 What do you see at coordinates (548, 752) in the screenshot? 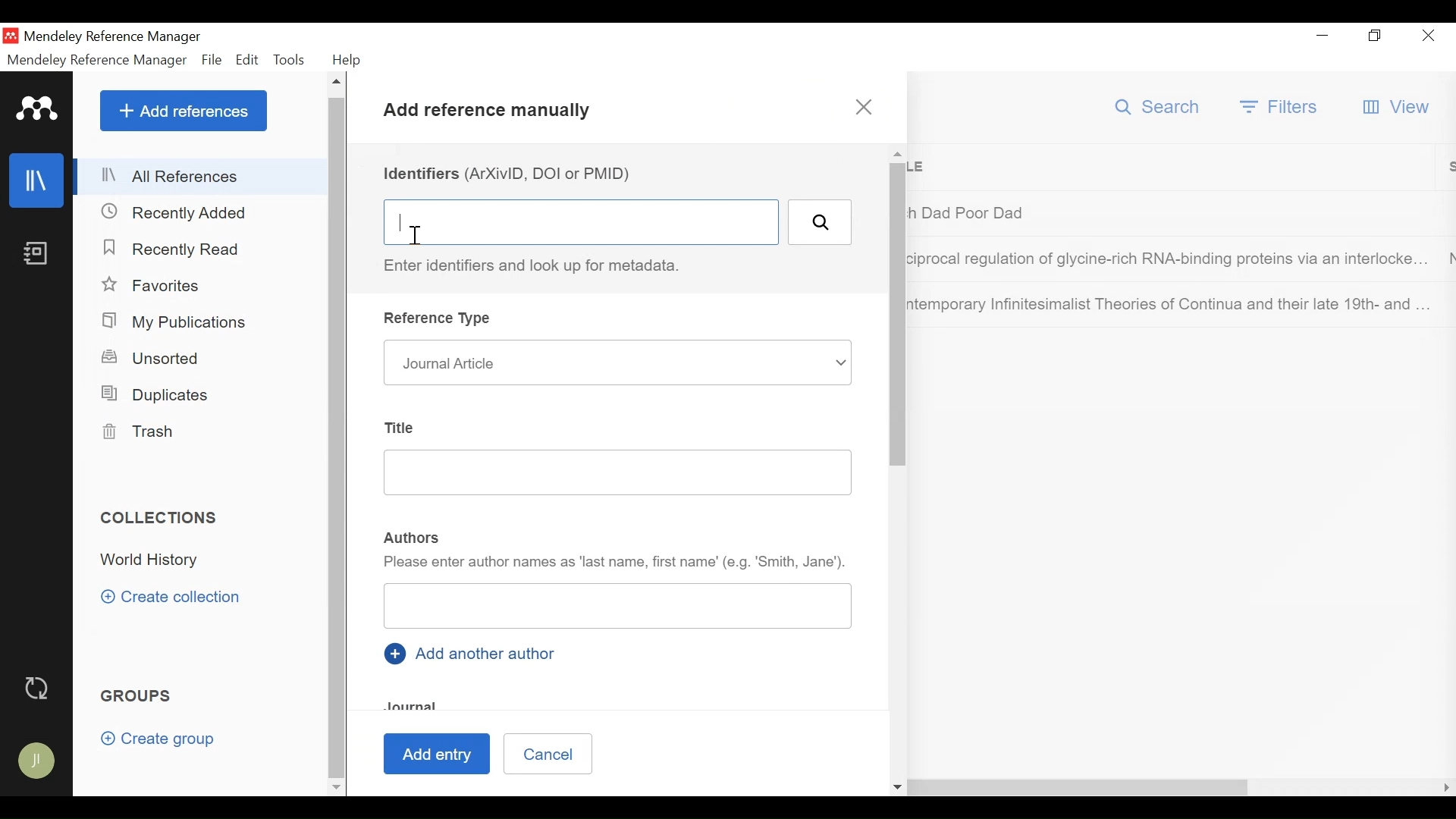
I see `Cancel` at bounding box center [548, 752].